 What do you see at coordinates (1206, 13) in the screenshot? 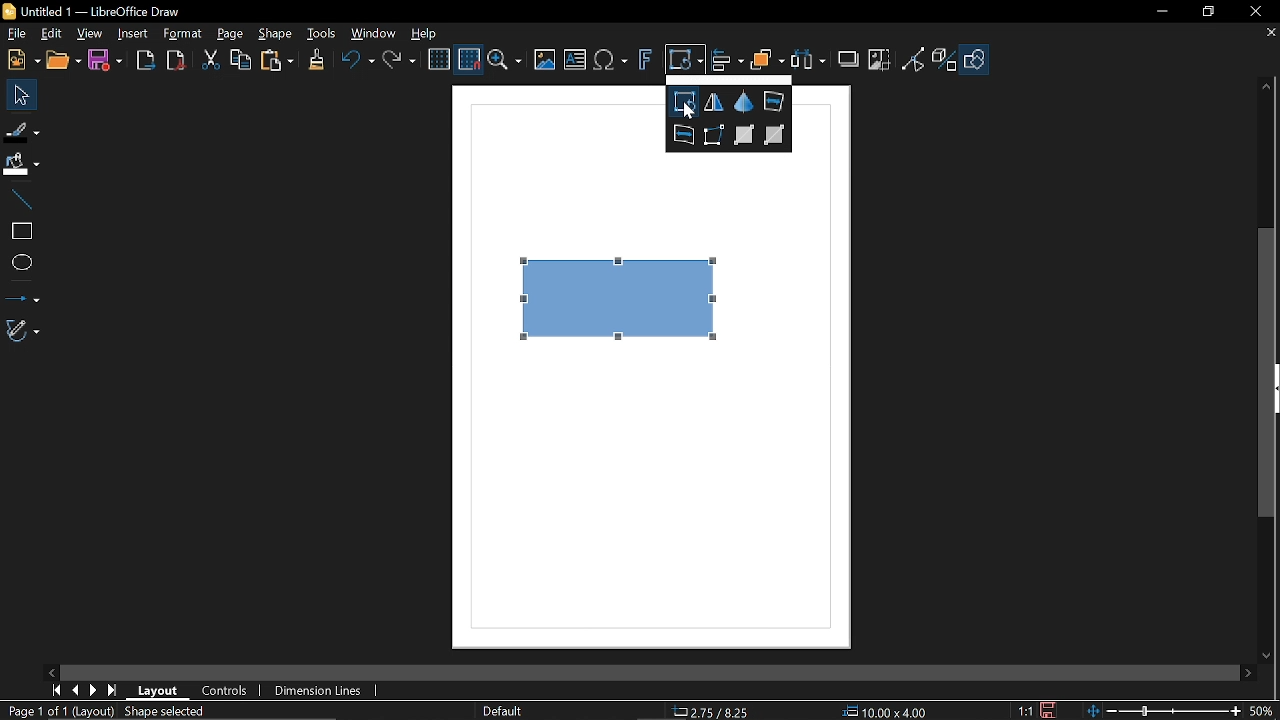
I see `restore down` at bounding box center [1206, 13].